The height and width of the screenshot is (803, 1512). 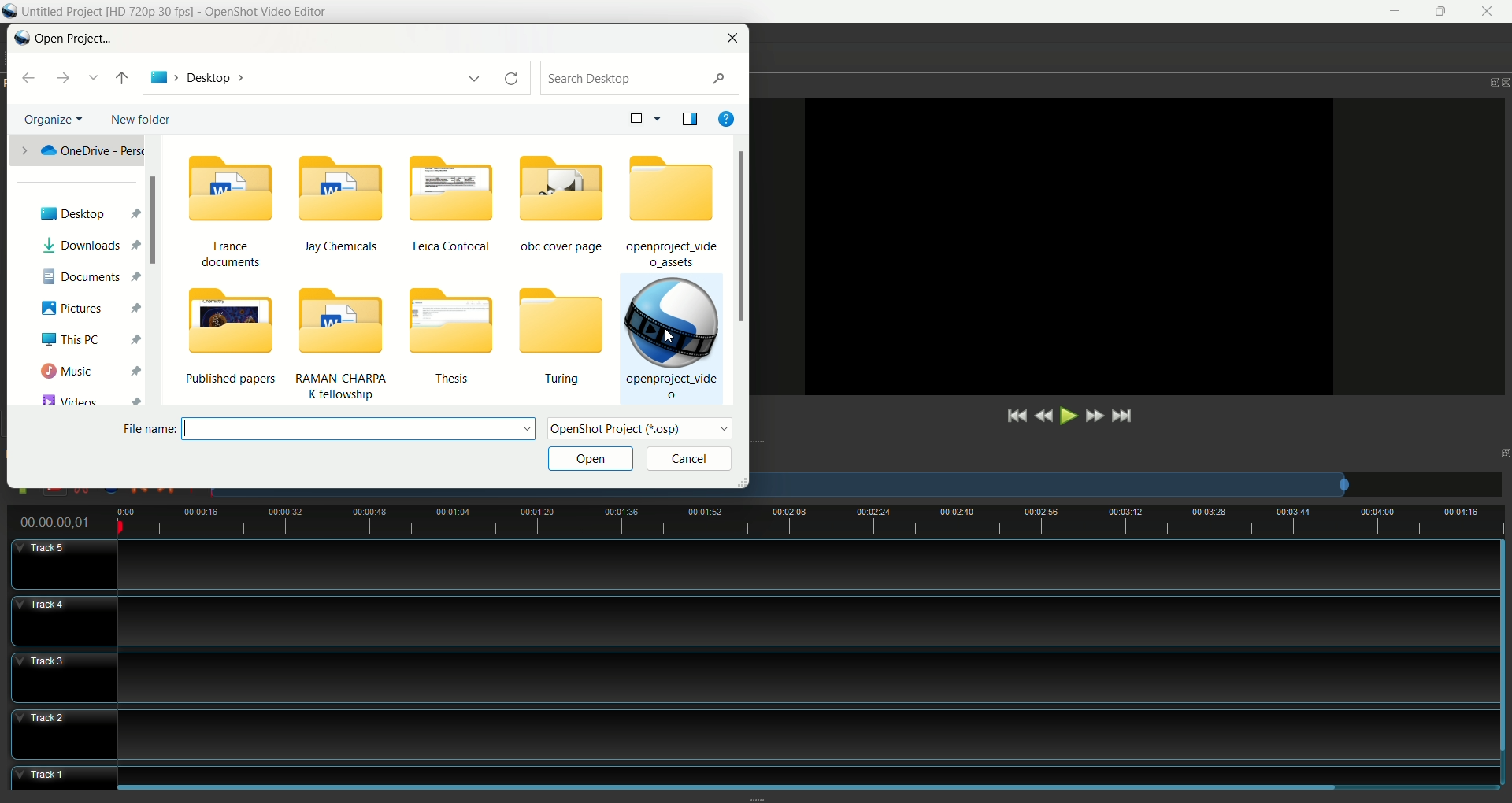 What do you see at coordinates (734, 37) in the screenshot?
I see `close` at bounding box center [734, 37].